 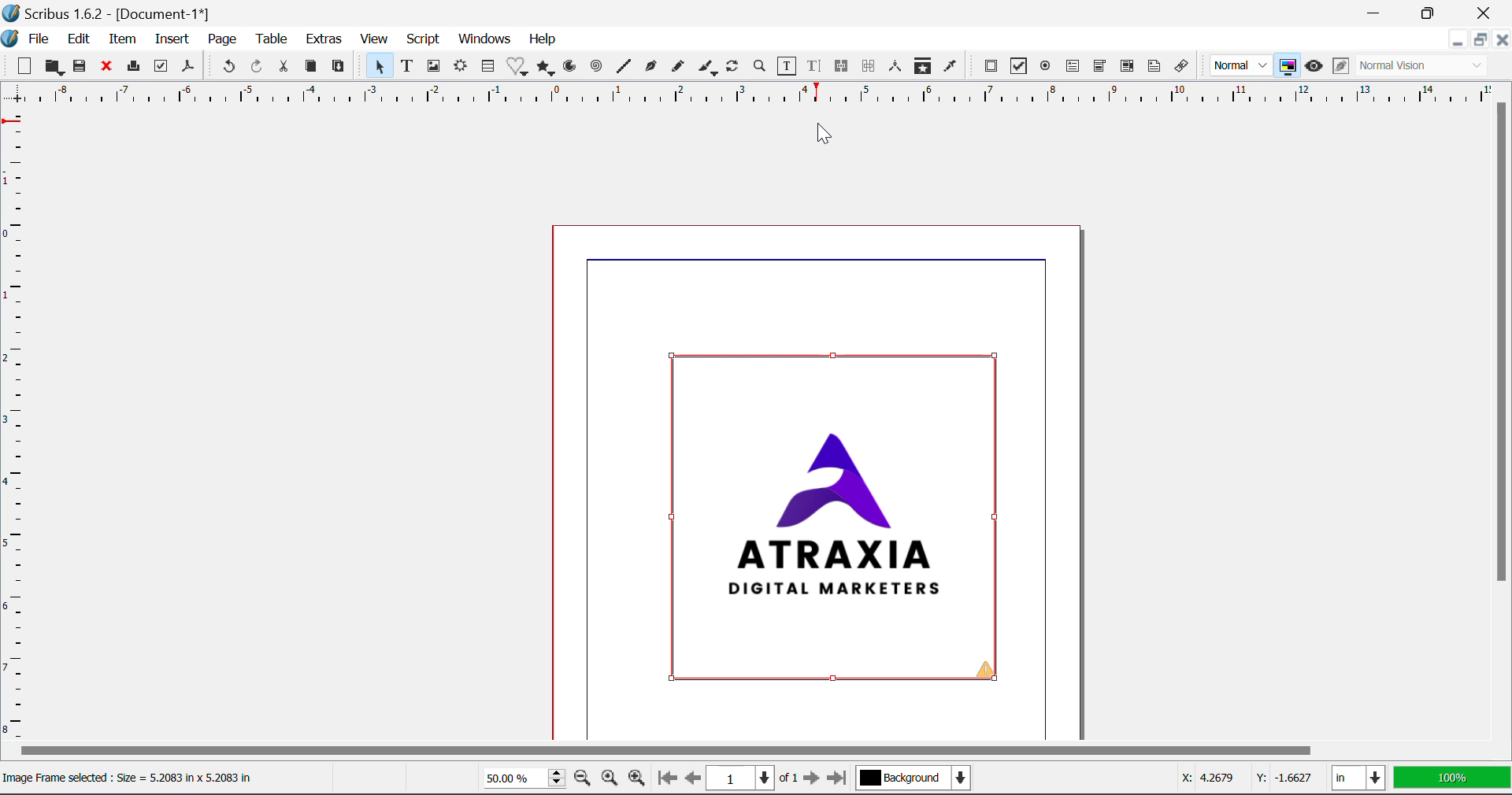 What do you see at coordinates (788, 66) in the screenshot?
I see `Edit Contents of Frame` at bounding box center [788, 66].